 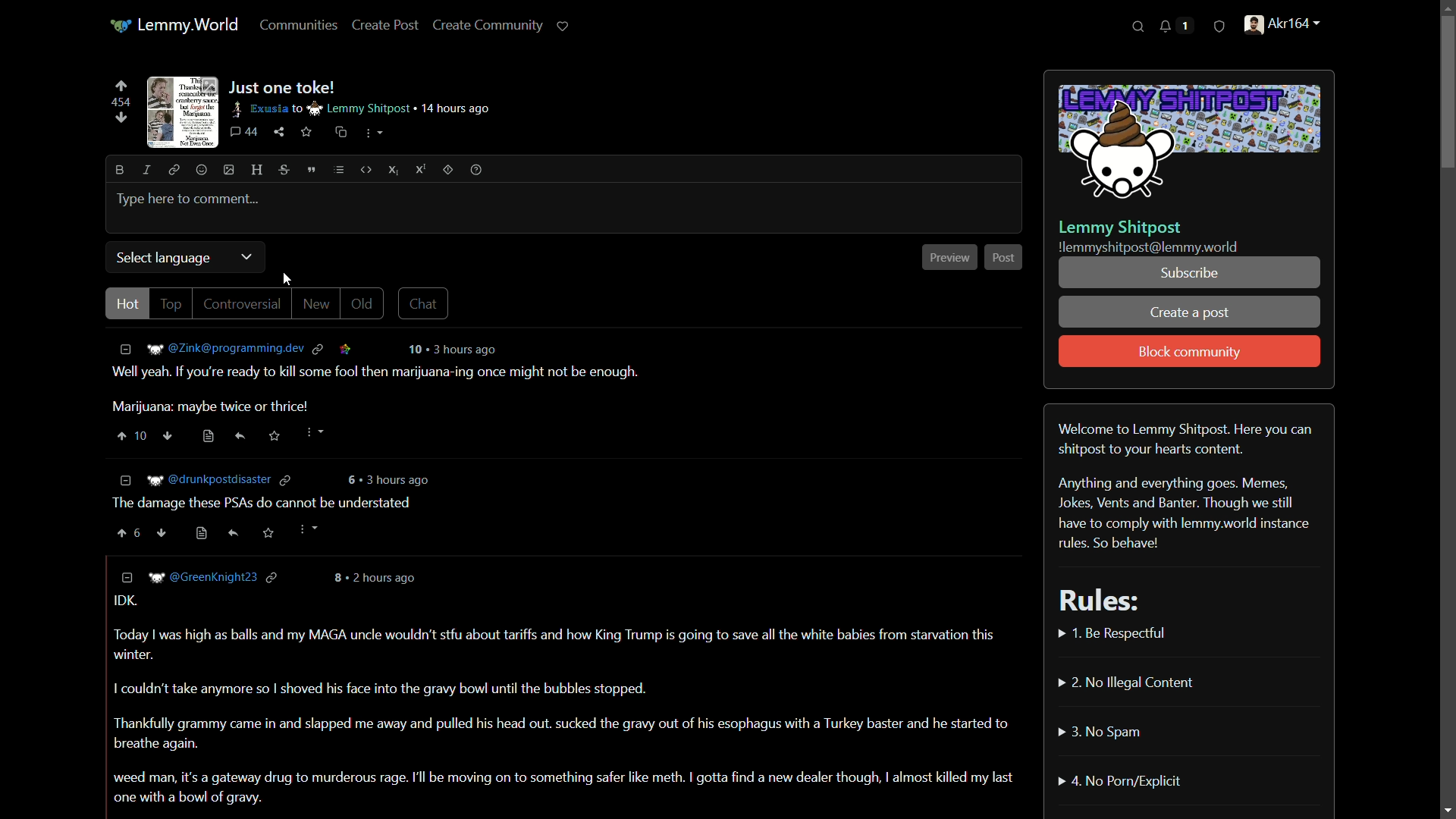 What do you see at coordinates (243, 305) in the screenshot?
I see `controversial` at bounding box center [243, 305].